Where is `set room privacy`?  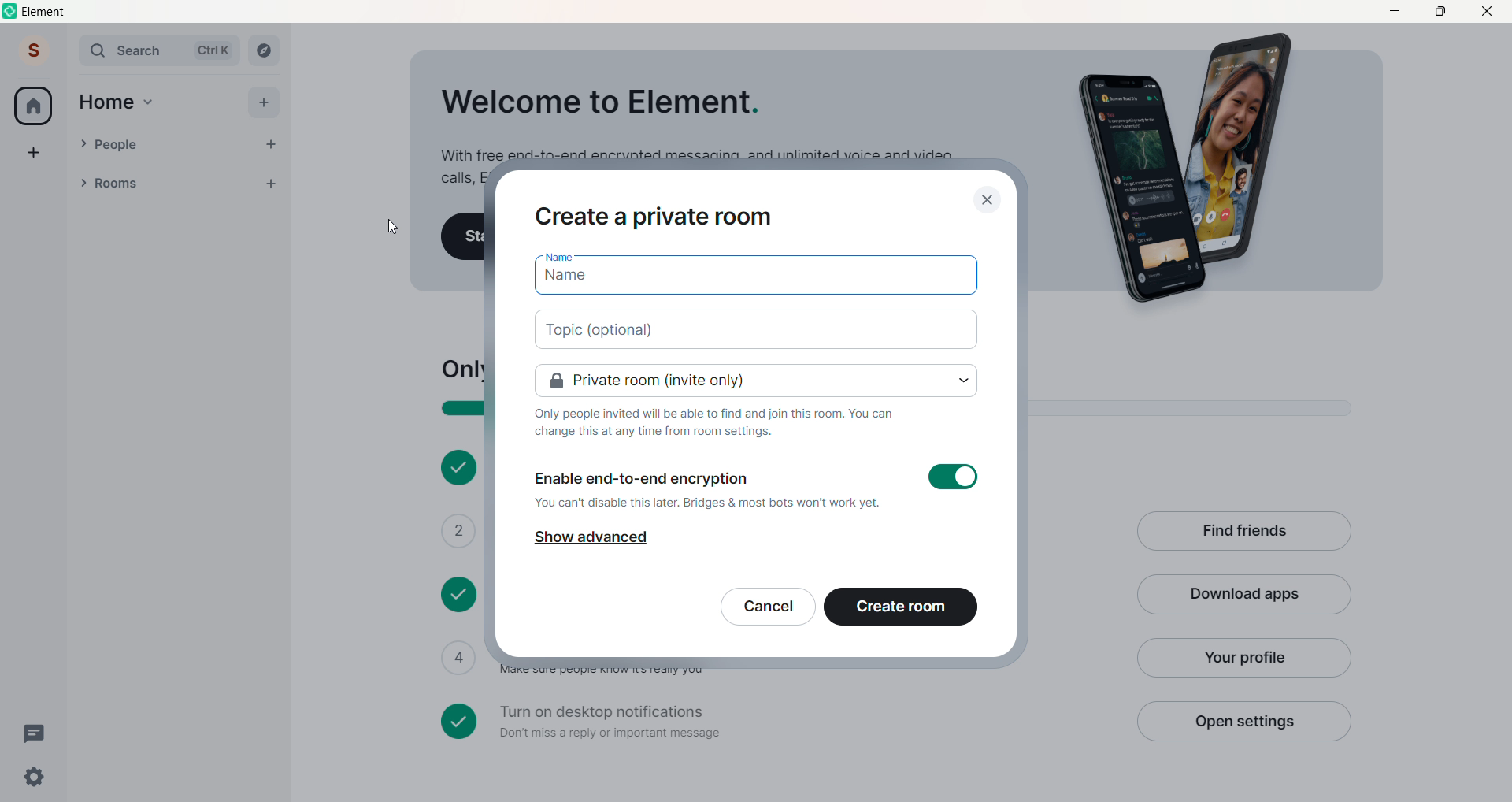 set room privacy is located at coordinates (758, 381).